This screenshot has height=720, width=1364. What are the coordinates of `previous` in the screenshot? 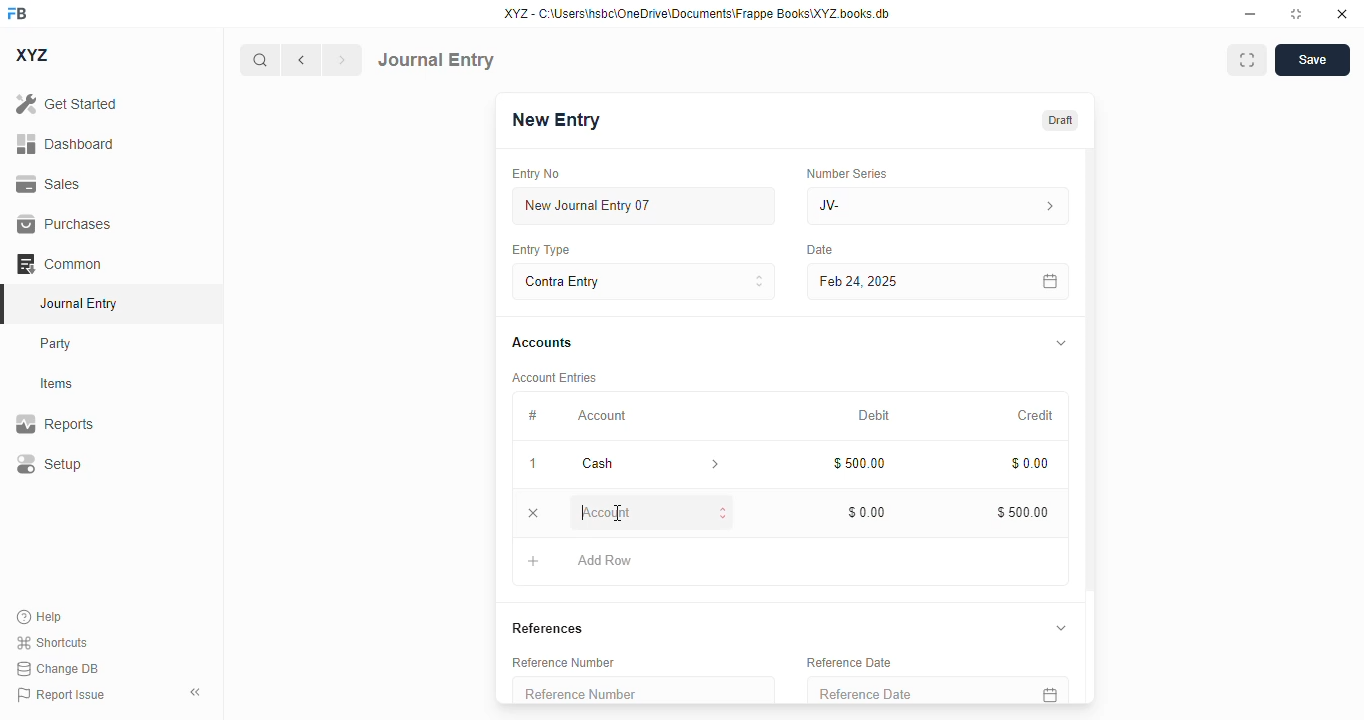 It's located at (301, 60).